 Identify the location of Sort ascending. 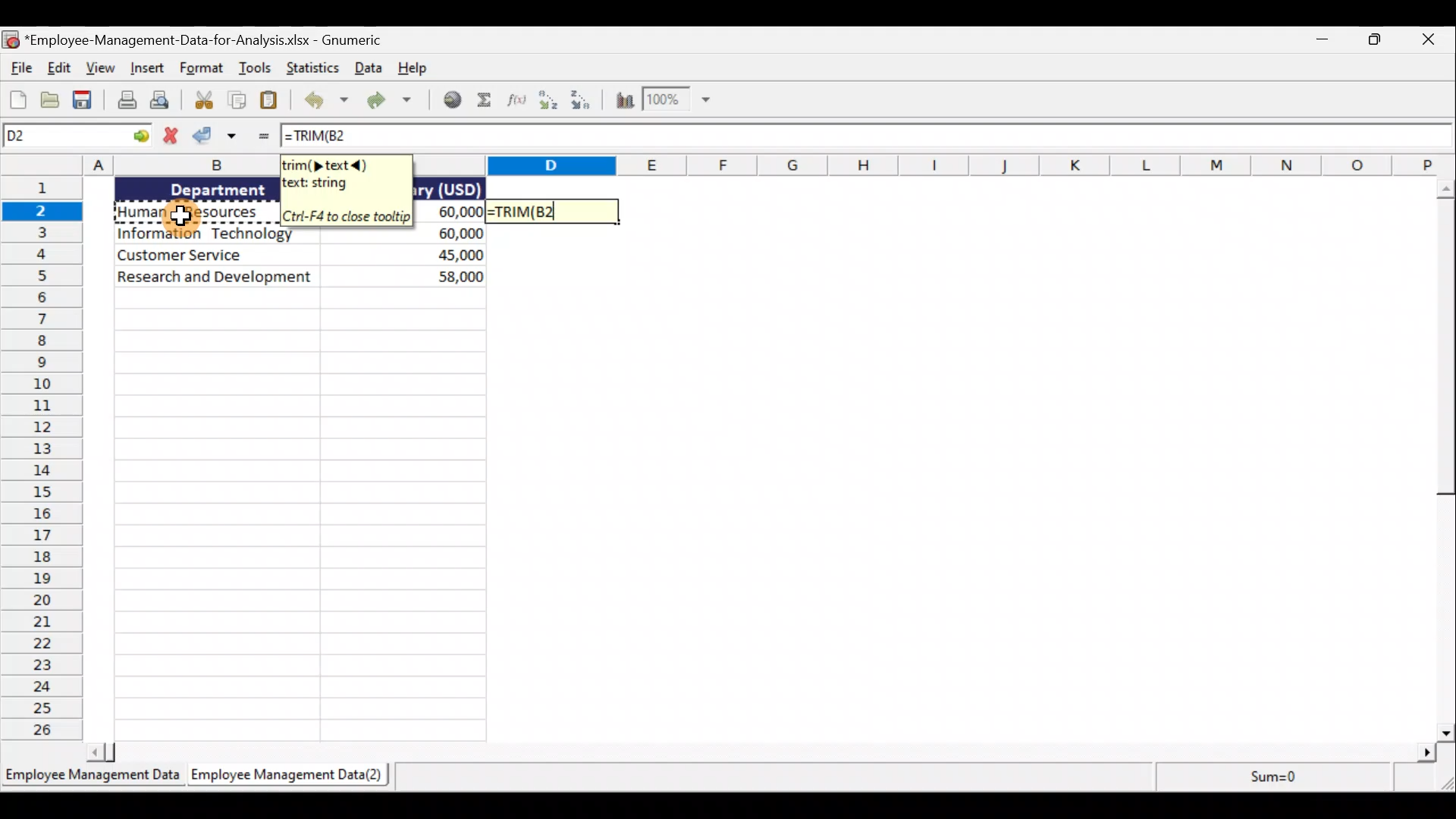
(549, 103).